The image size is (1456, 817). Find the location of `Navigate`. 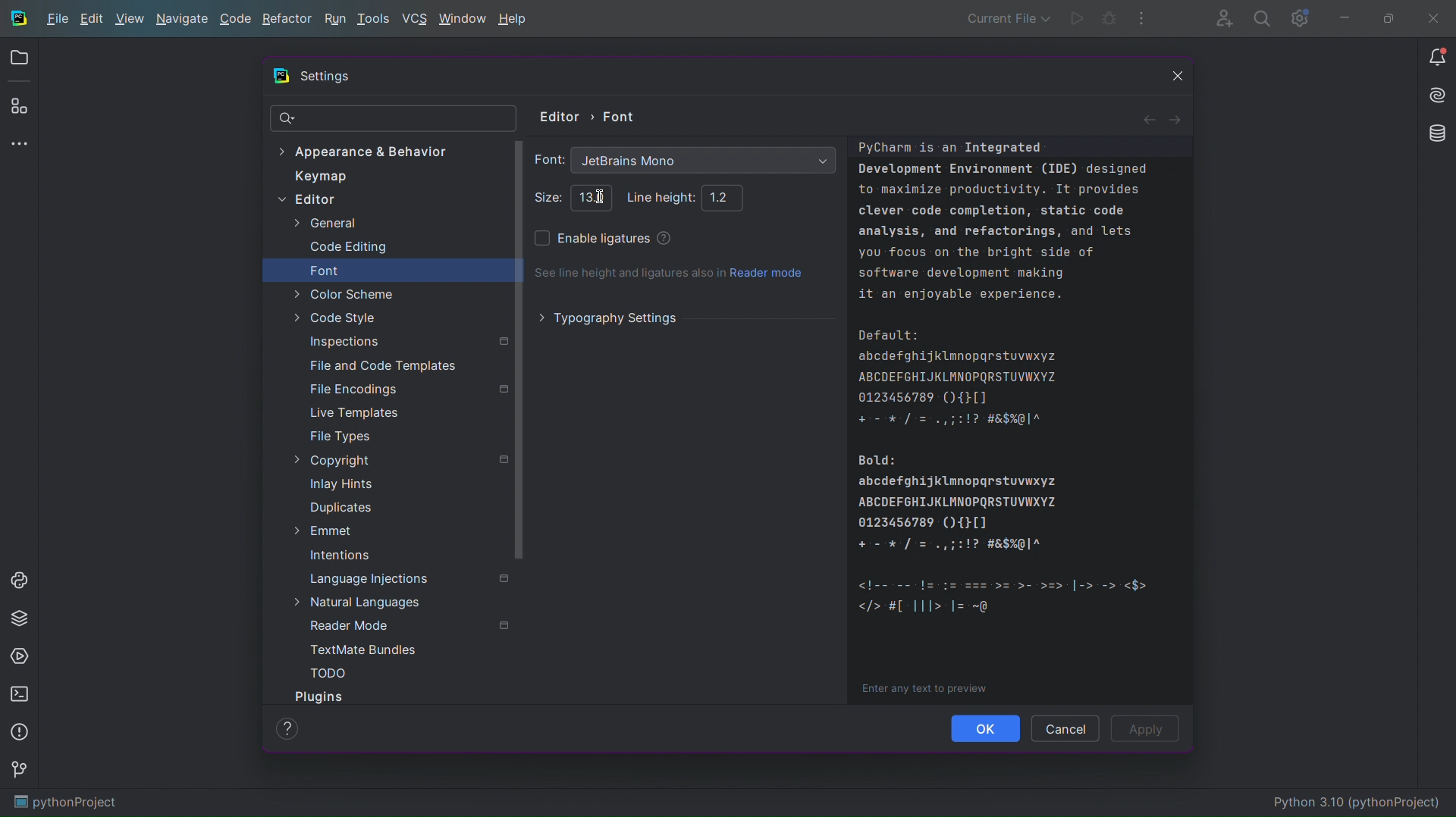

Navigate is located at coordinates (183, 21).